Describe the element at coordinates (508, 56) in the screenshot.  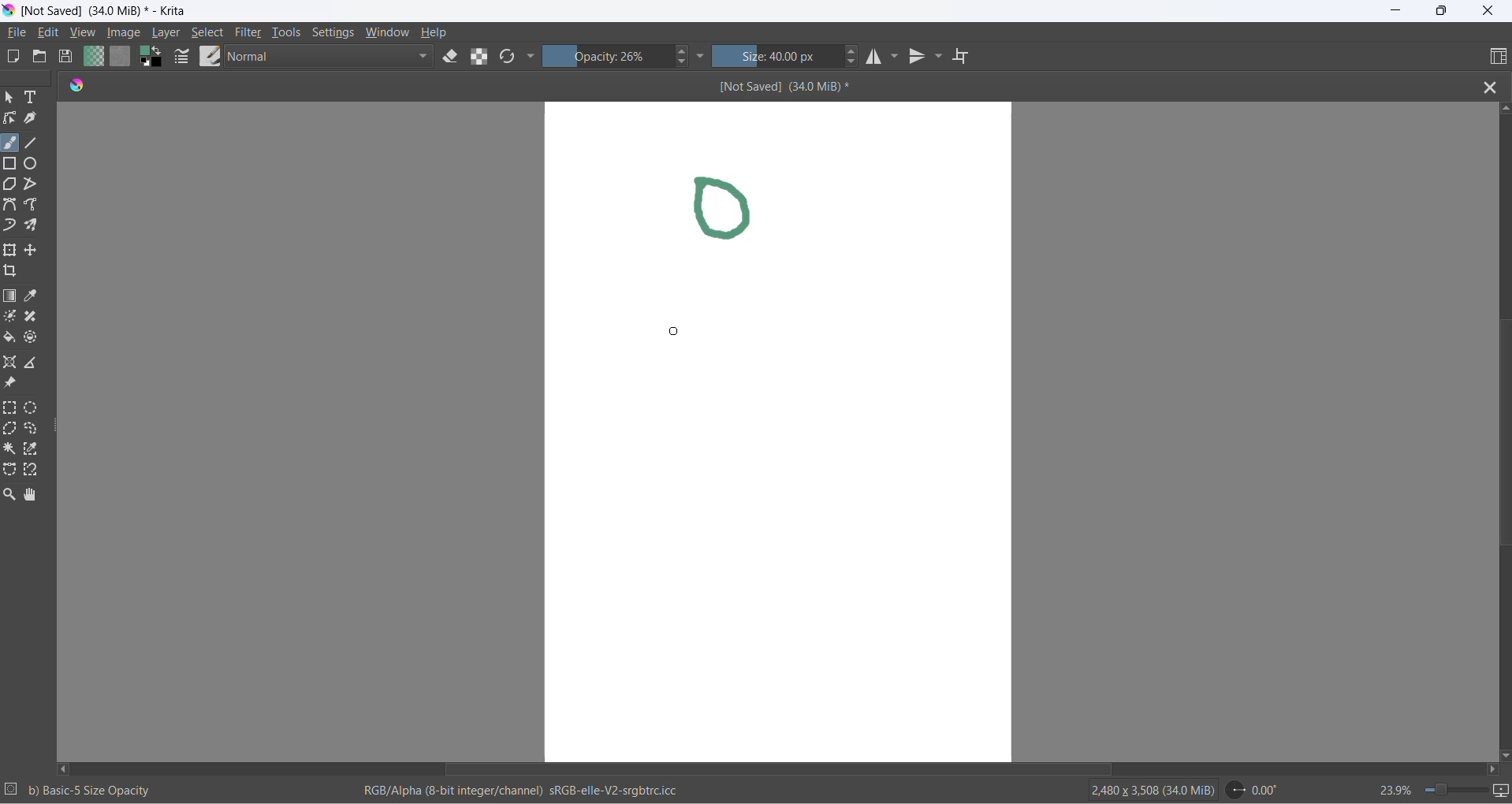
I see `reload original presets` at that location.